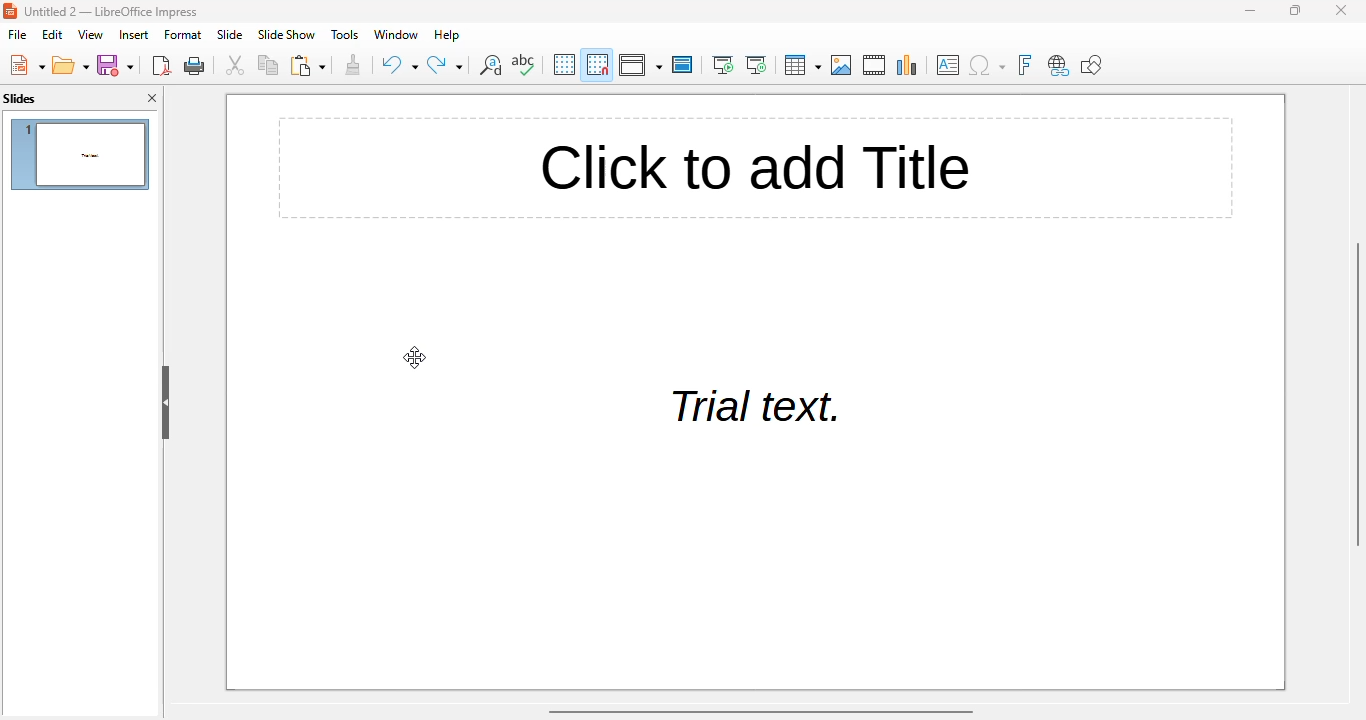 The image size is (1366, 720). I want to click on edit, so click(53, 34).